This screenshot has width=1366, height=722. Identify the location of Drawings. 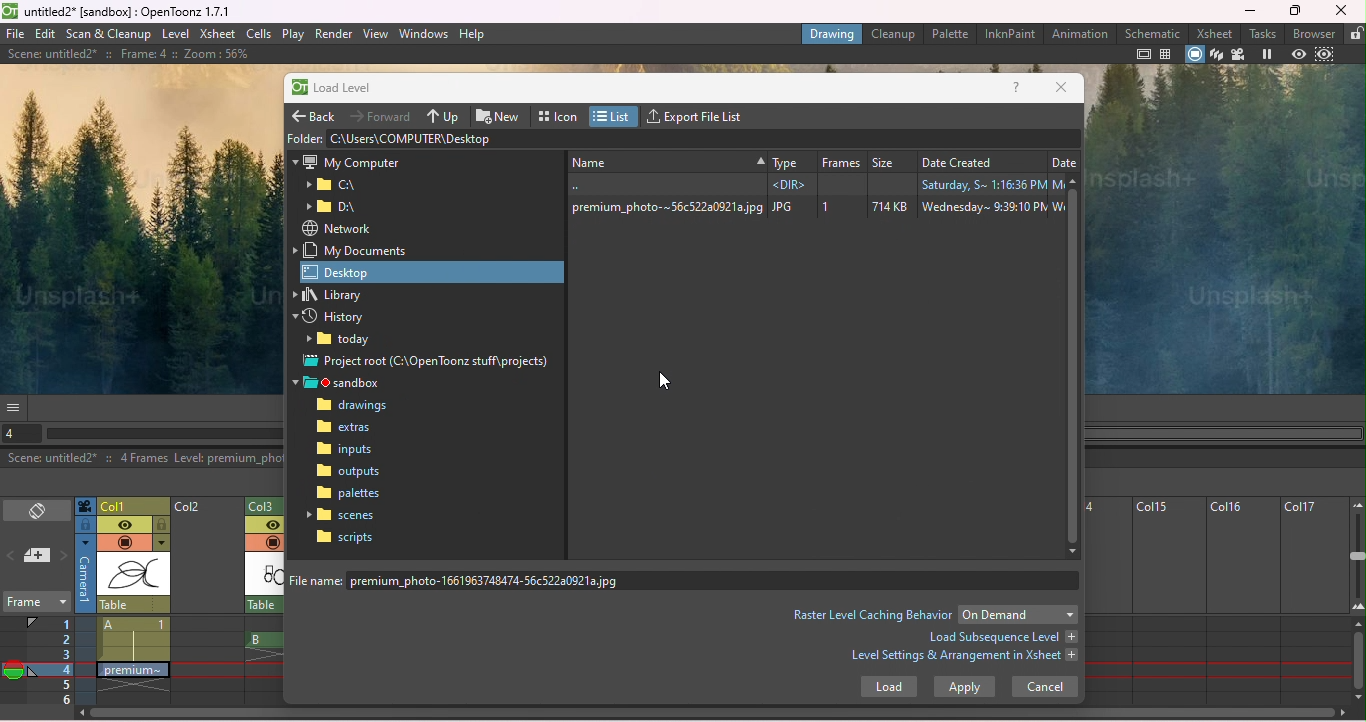
(357, 406).